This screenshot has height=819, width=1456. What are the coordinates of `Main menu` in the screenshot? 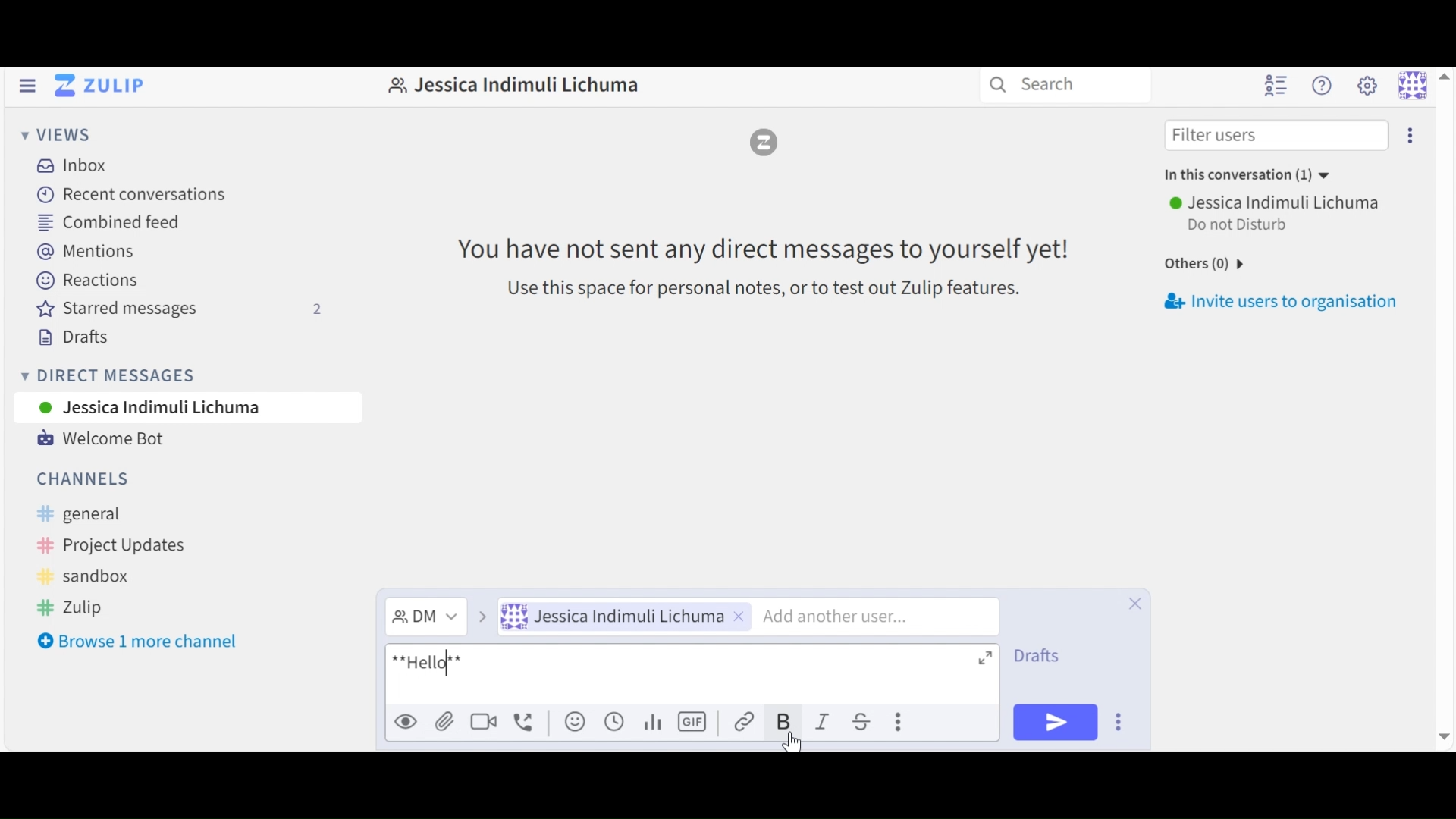 It's located at (1367, 86).